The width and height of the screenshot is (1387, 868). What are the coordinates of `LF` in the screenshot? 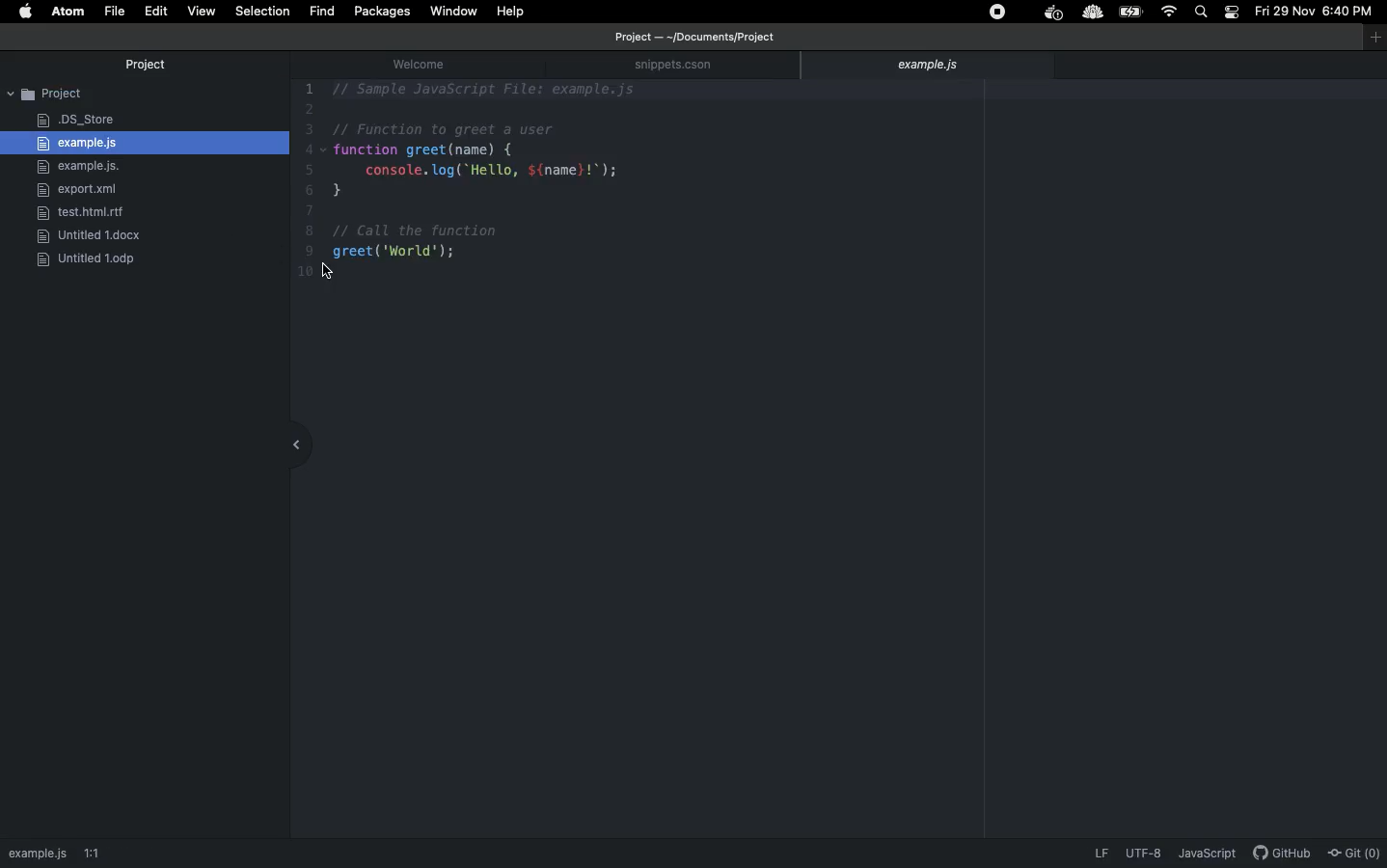 It's located at (1100, 855).